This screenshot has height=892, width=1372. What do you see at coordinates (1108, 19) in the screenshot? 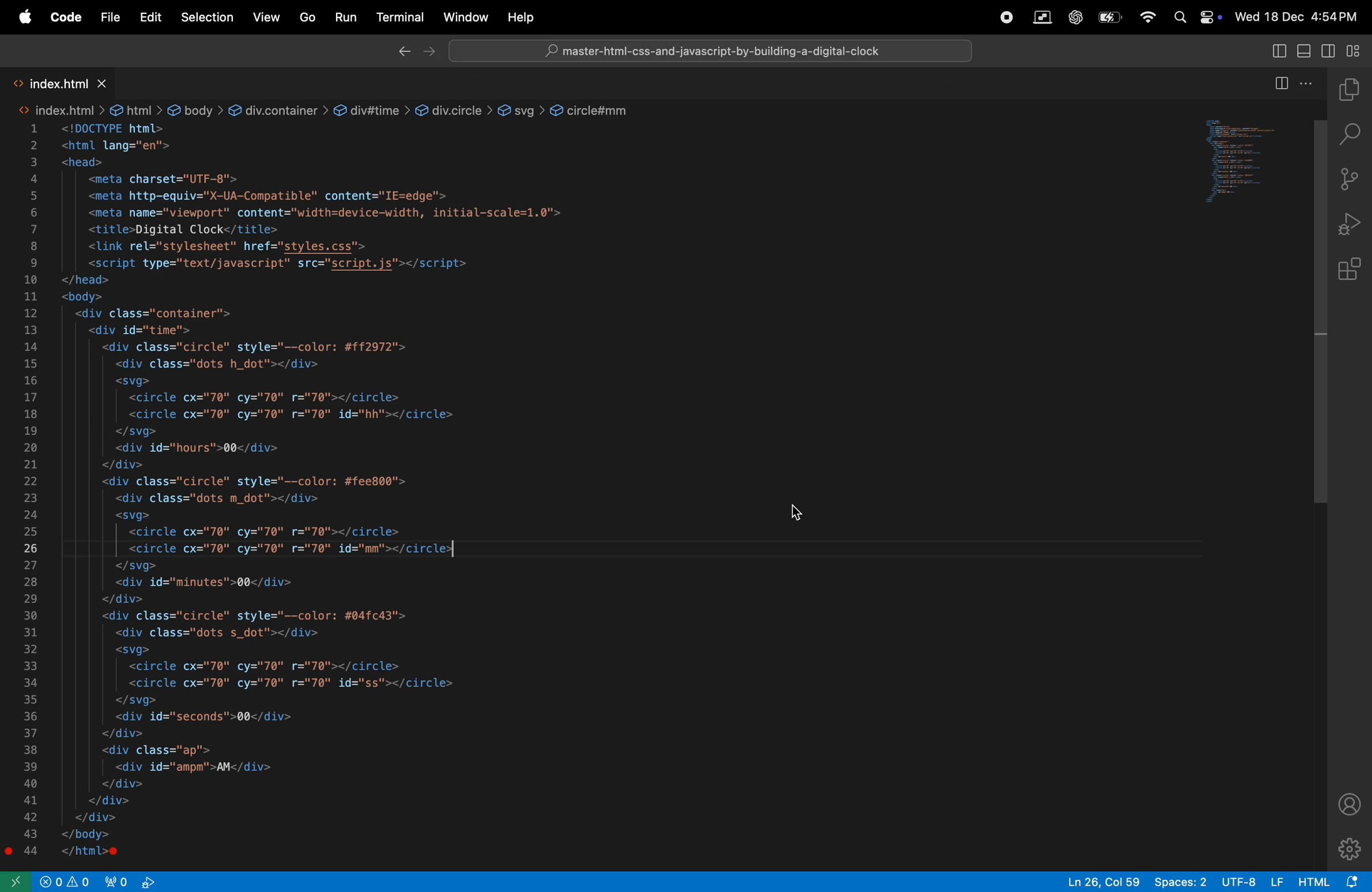
I see `battery` at bounding box center [1108, 19].